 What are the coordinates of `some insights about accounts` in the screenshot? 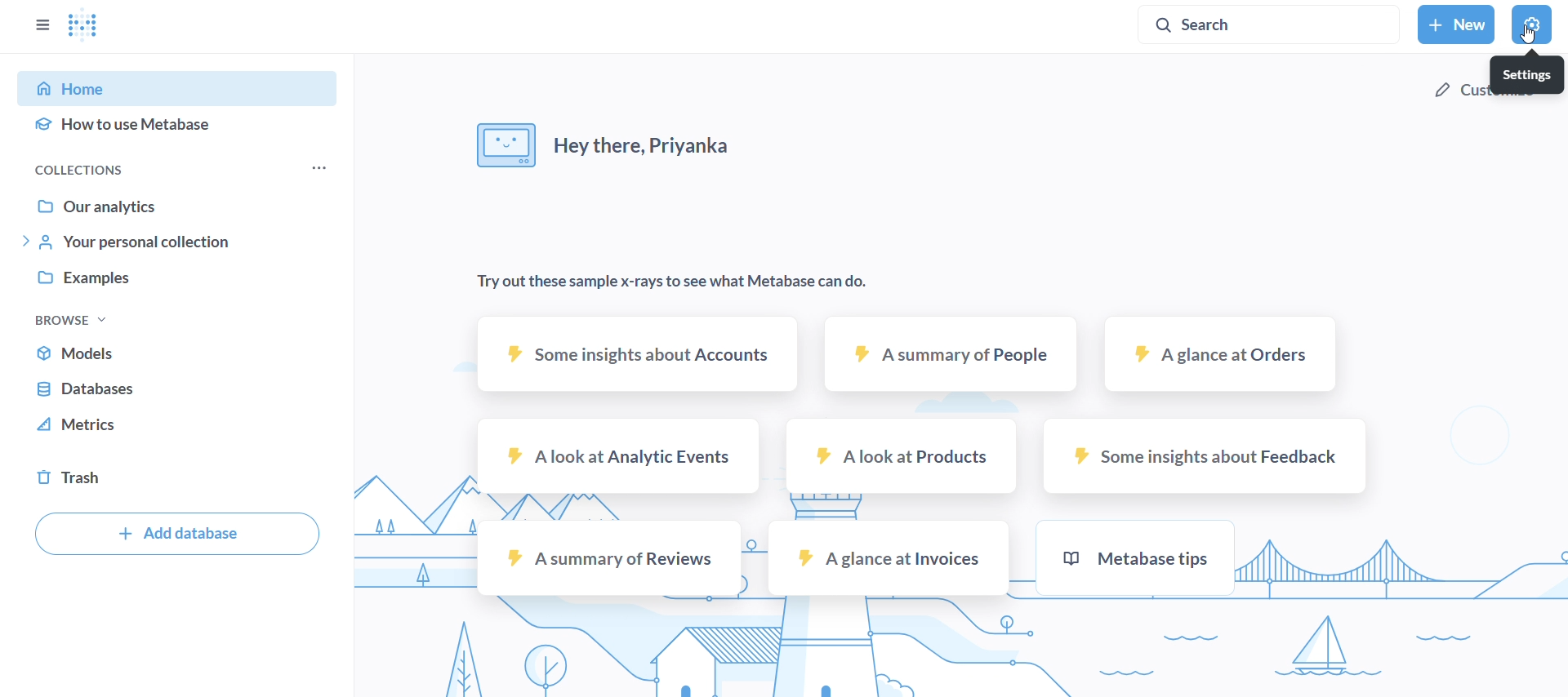 It's located at (637, 351).